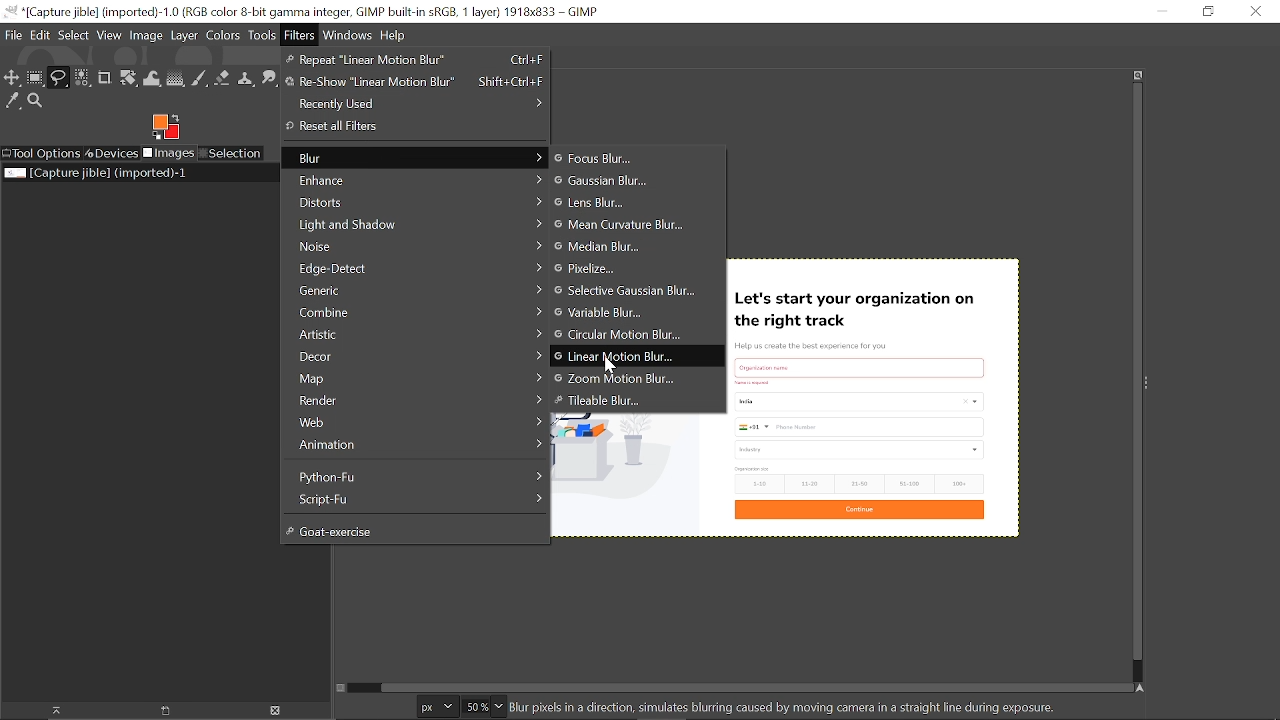 The width and height of the screenshot is (1280, 720). I want to click on Select by color, so click(82, 79).